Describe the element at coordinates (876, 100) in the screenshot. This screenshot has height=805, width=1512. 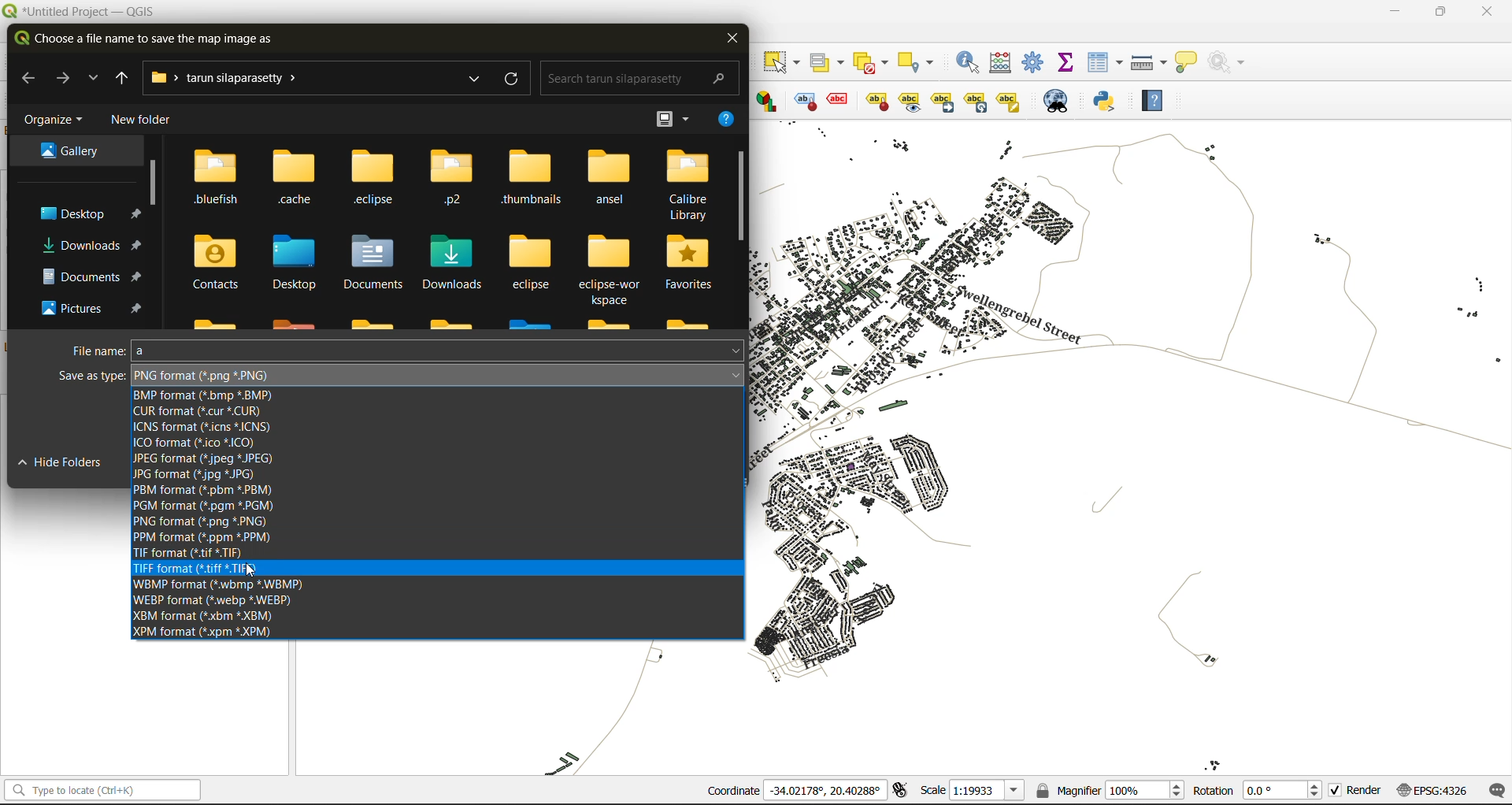
I see `show/hide lable and diagram ` at that location.